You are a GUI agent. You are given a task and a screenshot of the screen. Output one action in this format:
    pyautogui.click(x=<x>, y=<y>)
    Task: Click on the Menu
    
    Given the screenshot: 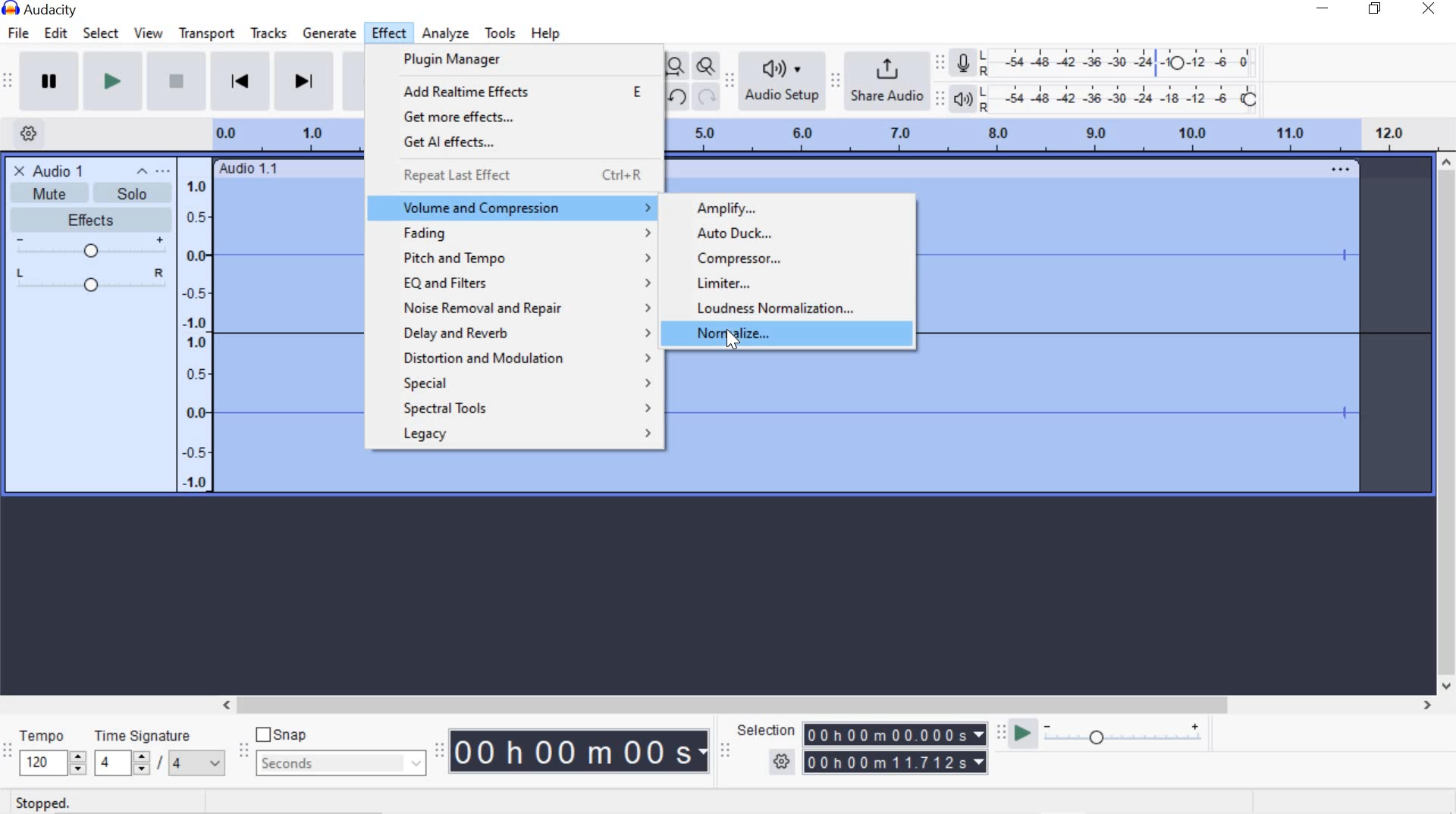 What is the action you would take?
    pyautogui.click(x=197, y=324)
    